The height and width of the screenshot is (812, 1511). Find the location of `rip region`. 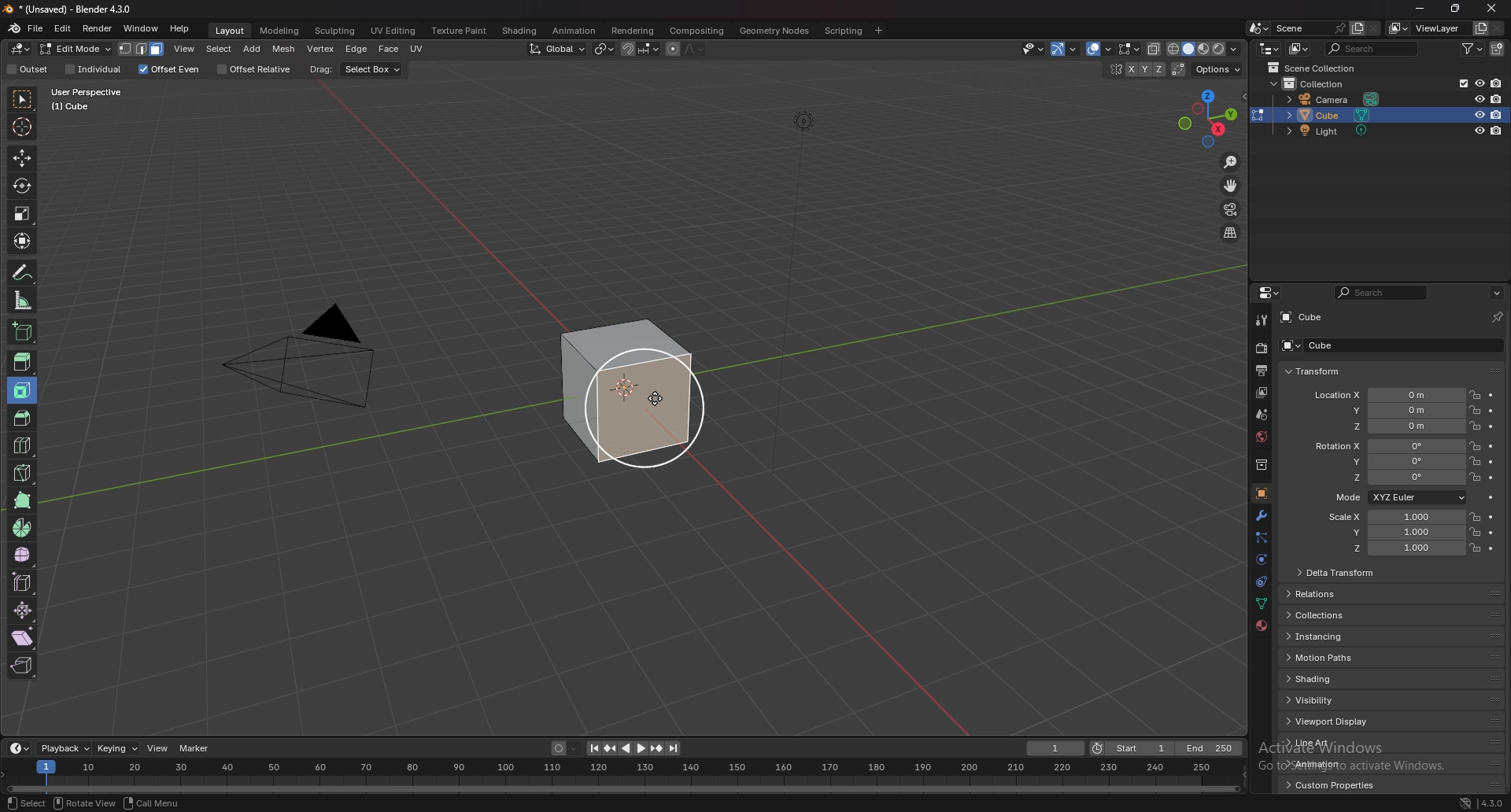

rip region is located at coordinates (21, 666).